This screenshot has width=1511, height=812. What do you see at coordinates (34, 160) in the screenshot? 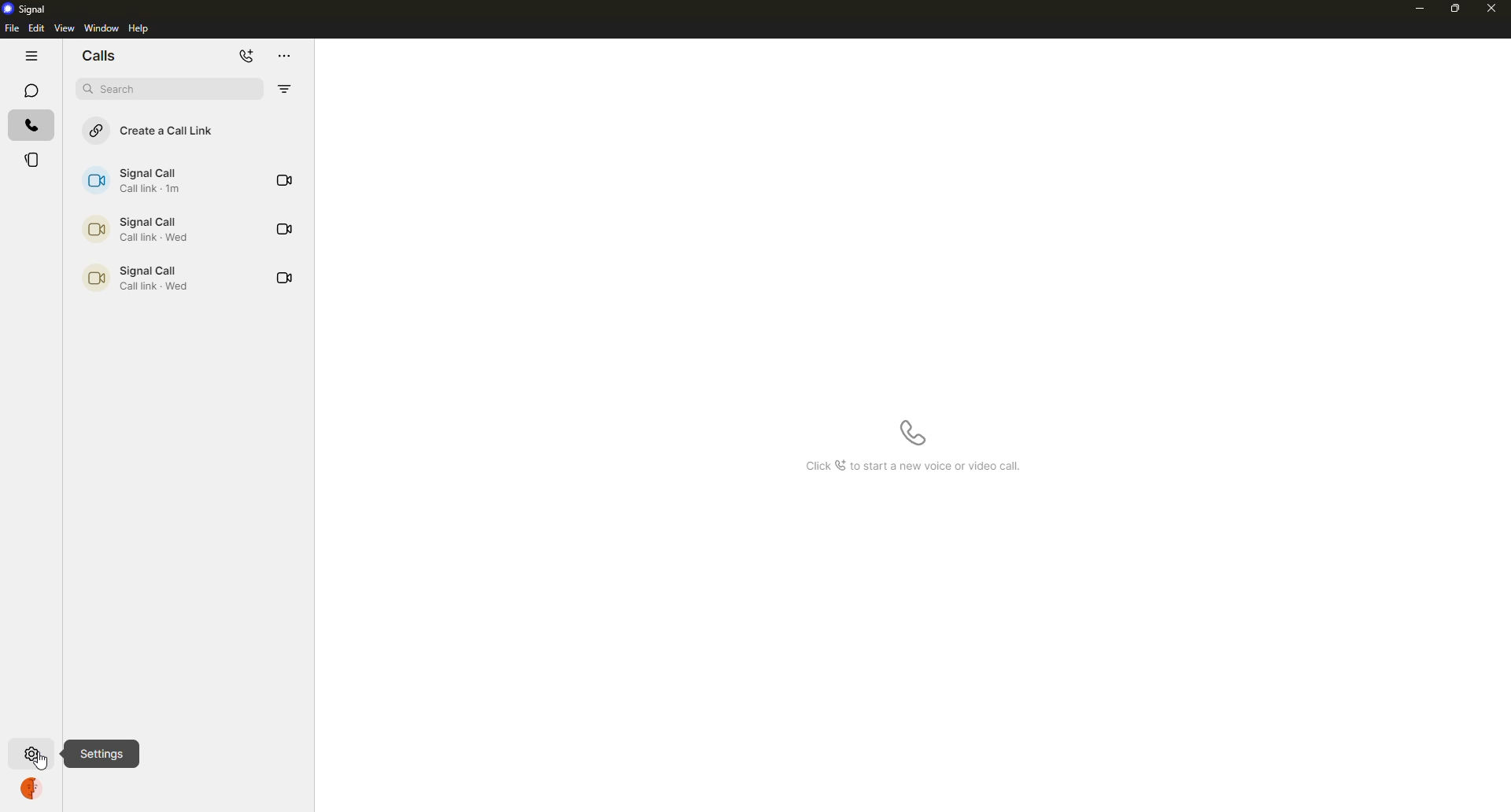
I see `stories` at bounding box center [34, 160].